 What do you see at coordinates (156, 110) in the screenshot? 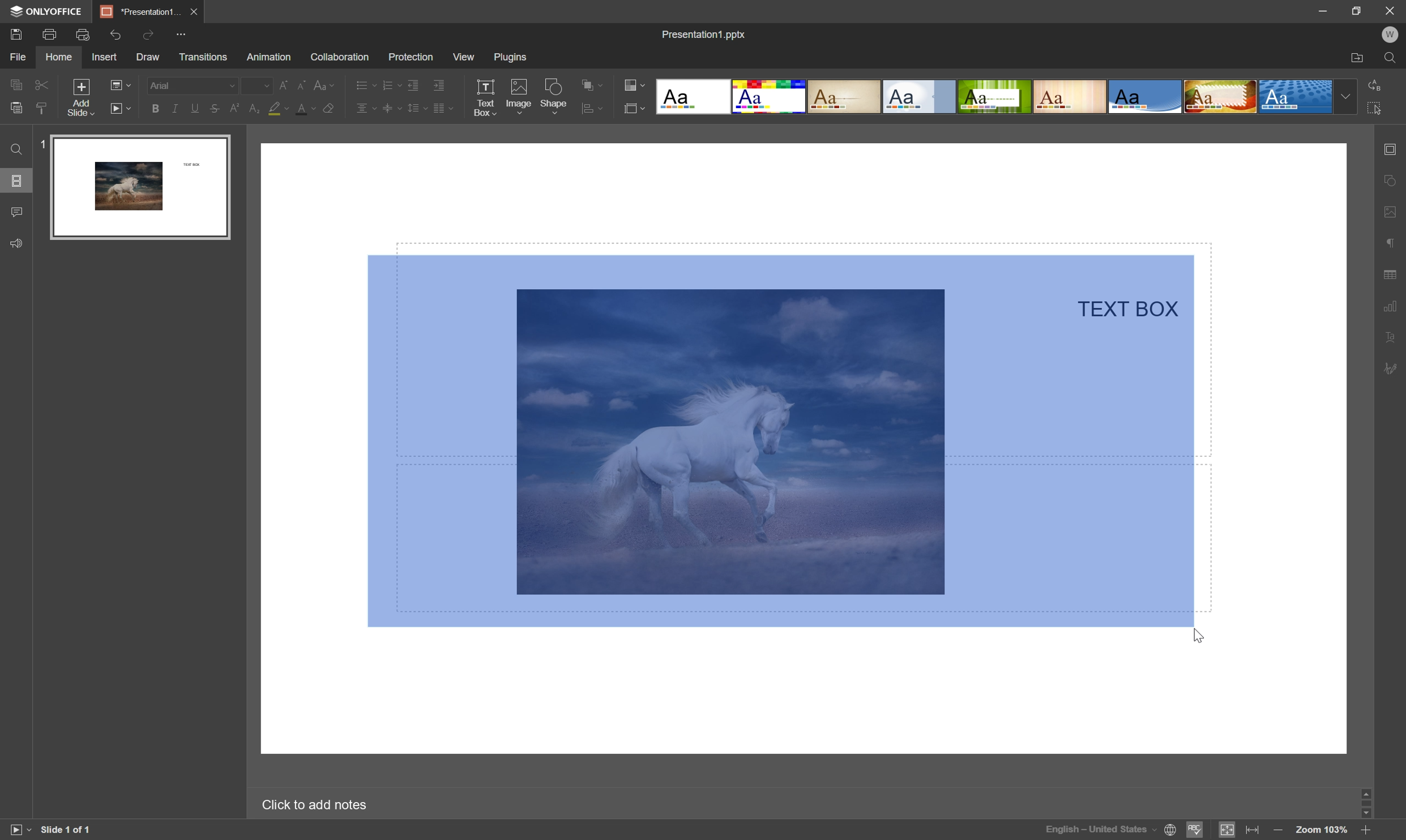
I see `bold` at bounding box center [156, 110].